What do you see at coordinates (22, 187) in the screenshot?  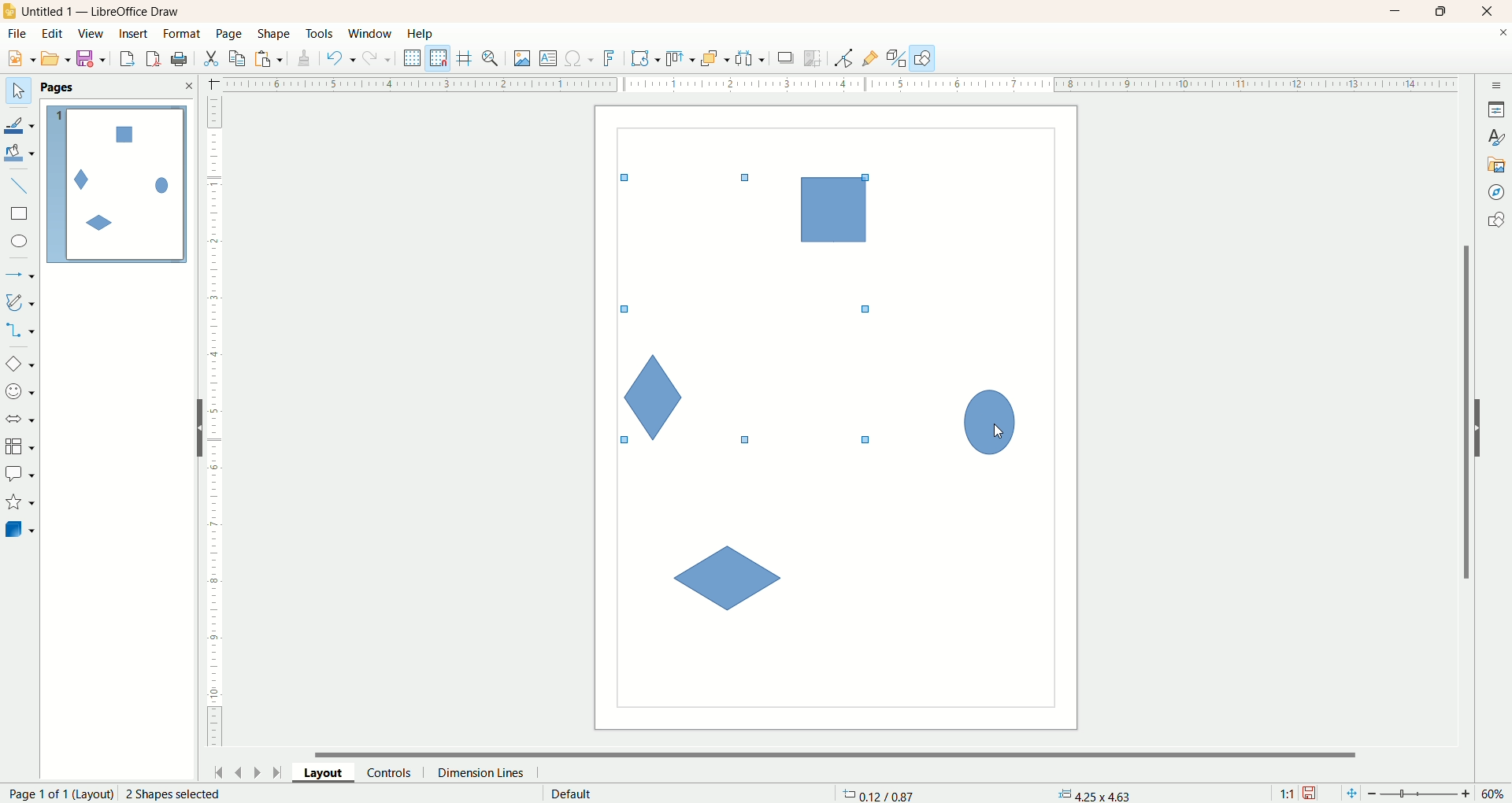 I see `insert line` at bounding box center [22, 187].